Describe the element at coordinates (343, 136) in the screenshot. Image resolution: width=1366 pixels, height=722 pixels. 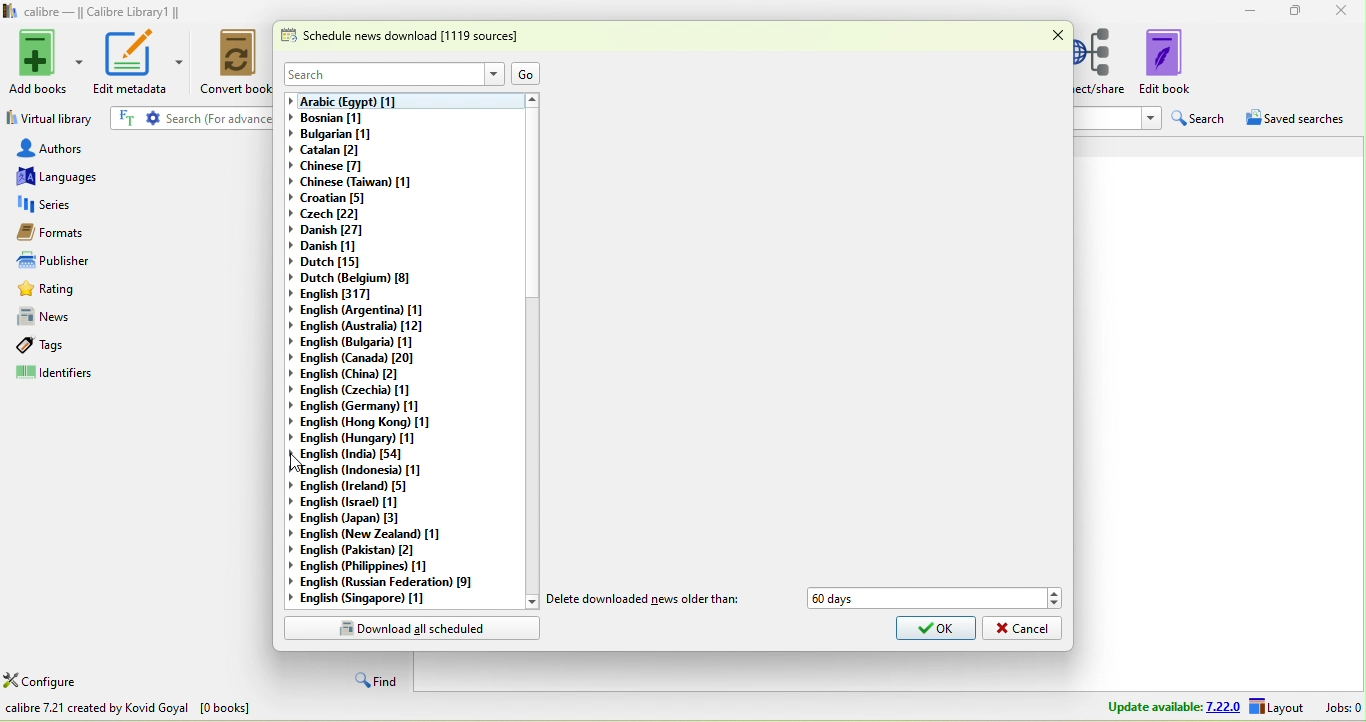
I see `bulgarian [1]` at that location.